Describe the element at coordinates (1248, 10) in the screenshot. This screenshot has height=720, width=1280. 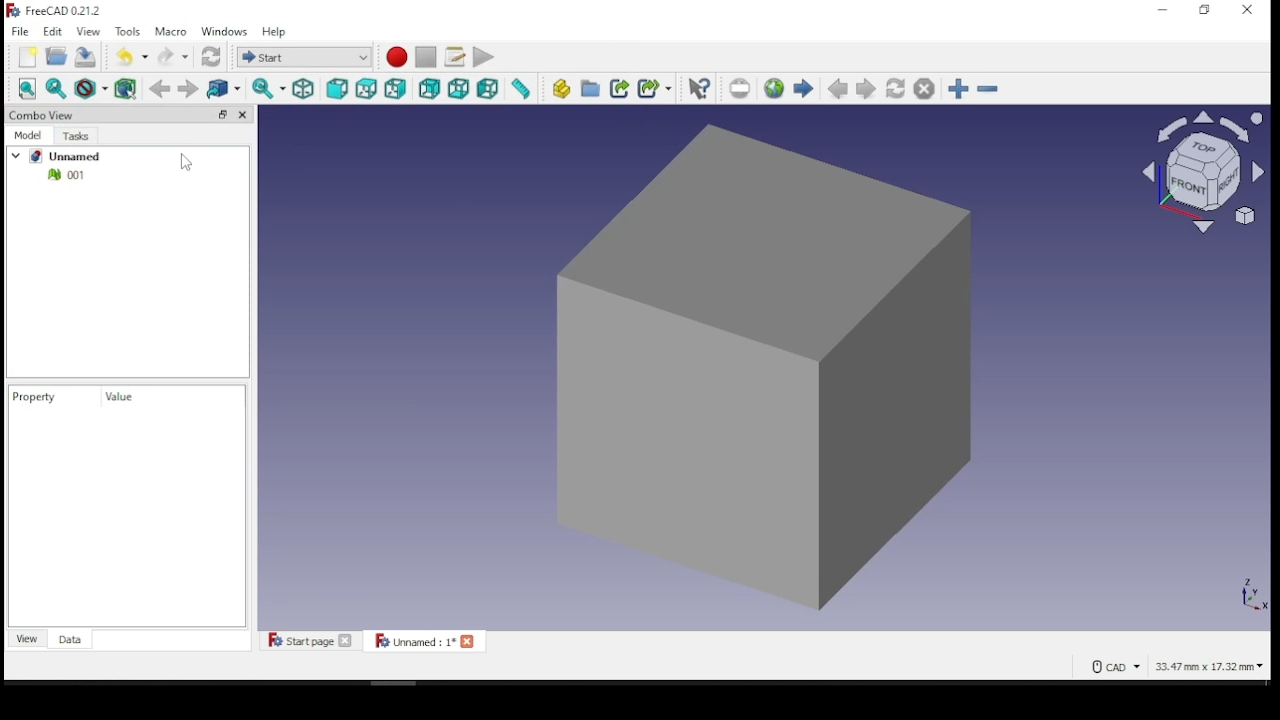
I see `close` at that location.